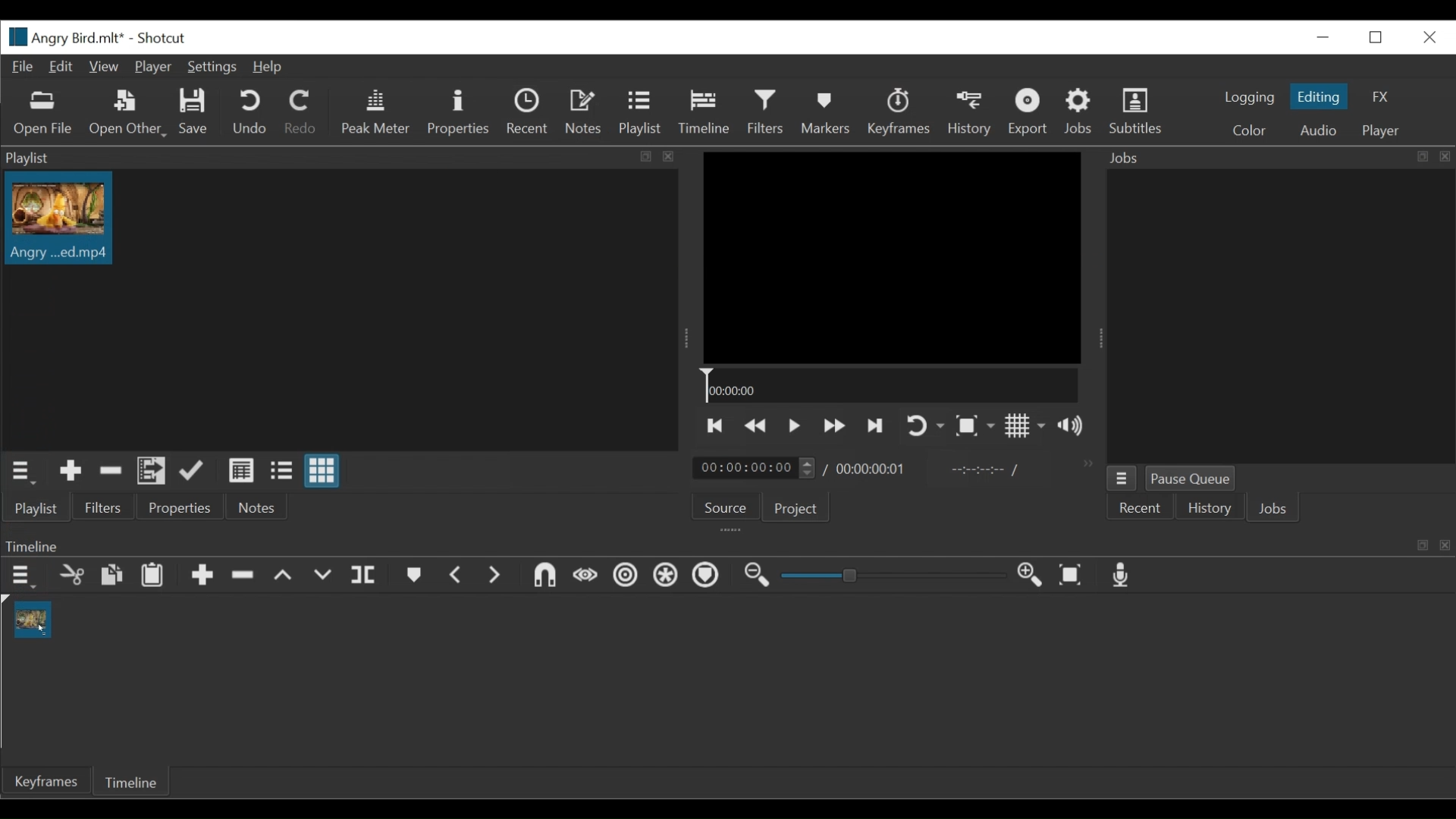 This screenshot has width=1456, height=819. What do you see at coordinates (704, 111) in the screenshot?
I see `Timeline` at bounding box center [704, 111].